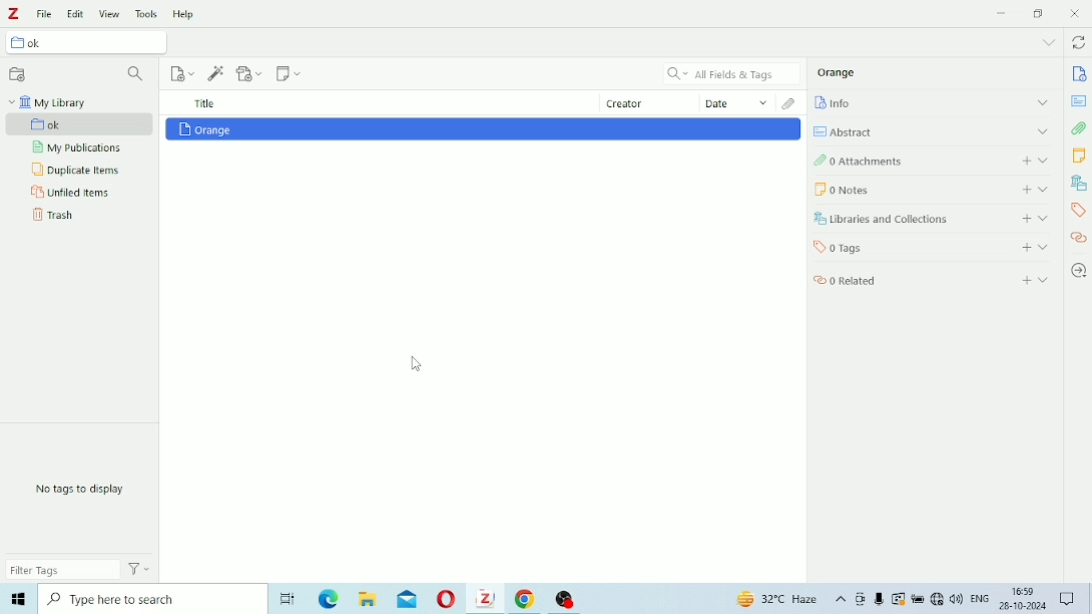  I want to click on My Publications, so click(76, 148).